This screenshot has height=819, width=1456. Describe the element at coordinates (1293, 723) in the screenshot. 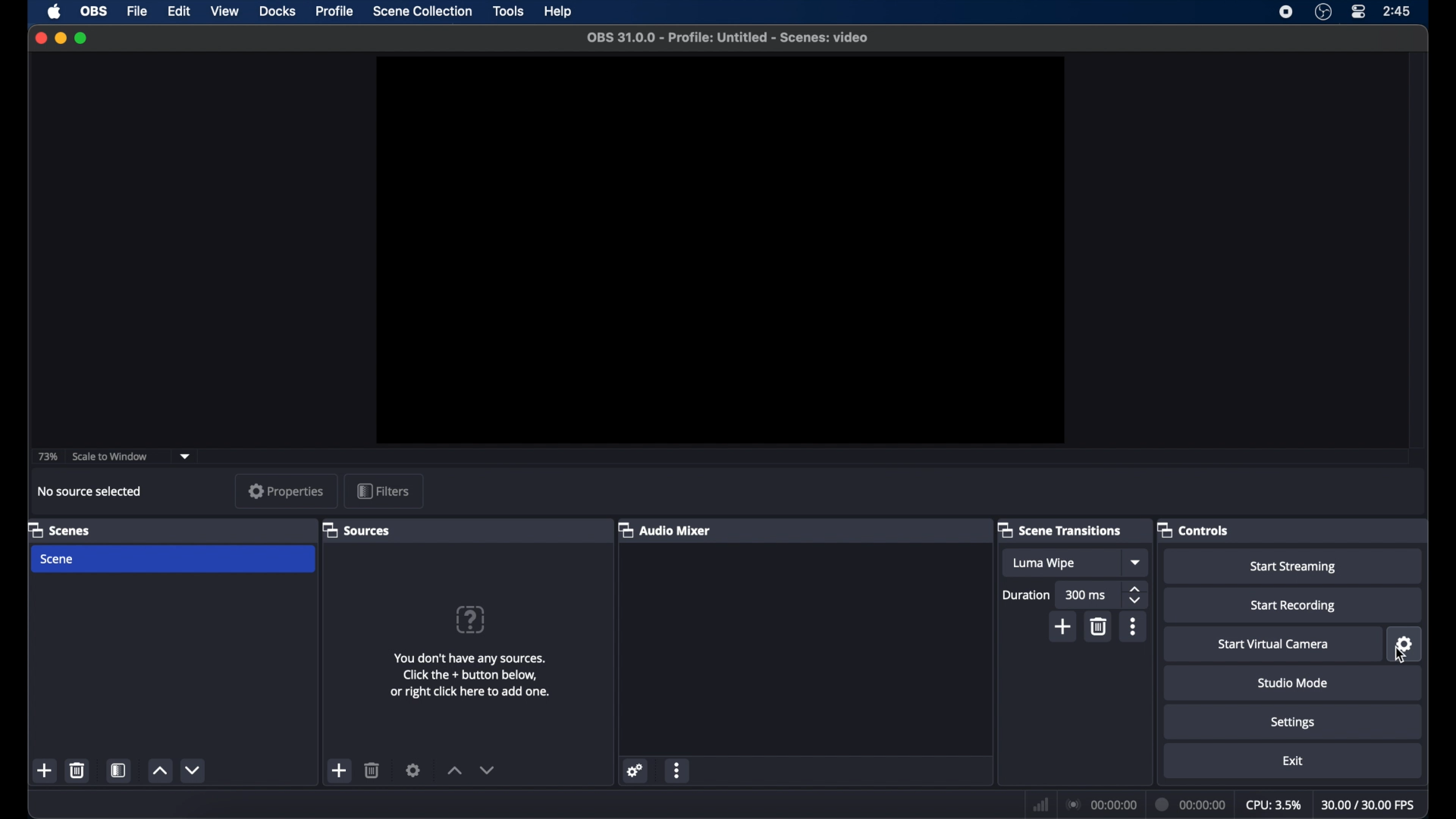

I see `settings` at that location.